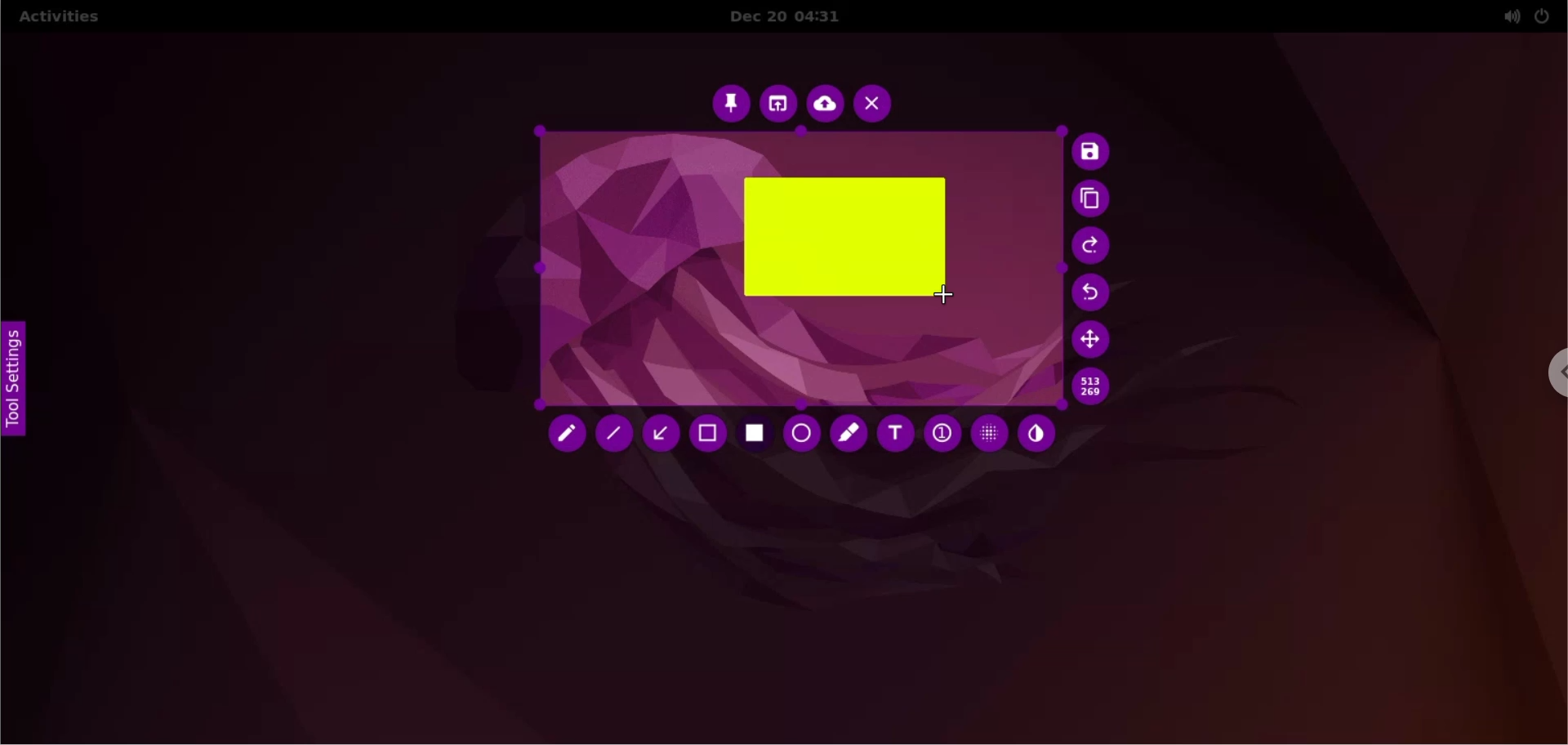 The width and height of the screenshot is (1568, 745). What do you see at coordinates (825, 104) in the screenshot?
I see `upload` at bounding box center [825, 104].